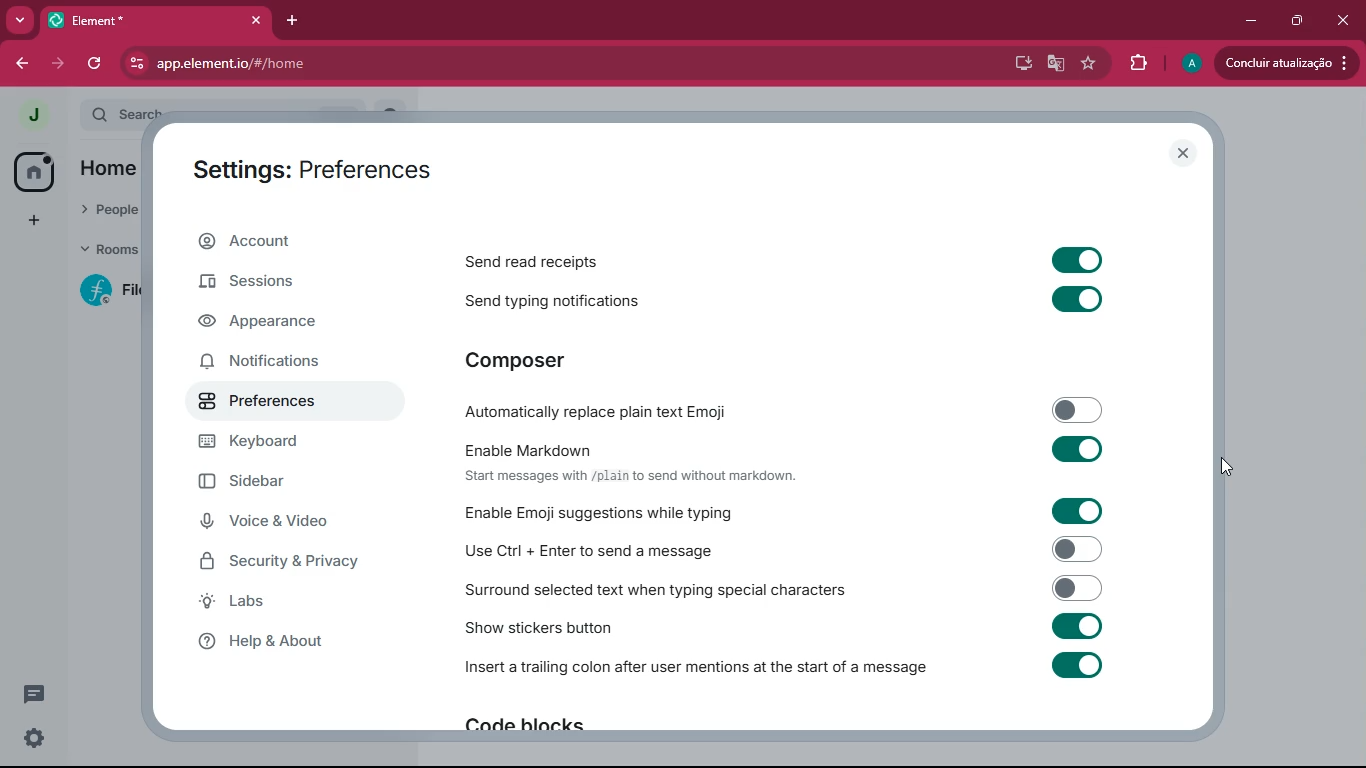  Describe the element at coordinates (782, 589) in the screenshot. I see `Surround selected text when typing special characters` at that location.